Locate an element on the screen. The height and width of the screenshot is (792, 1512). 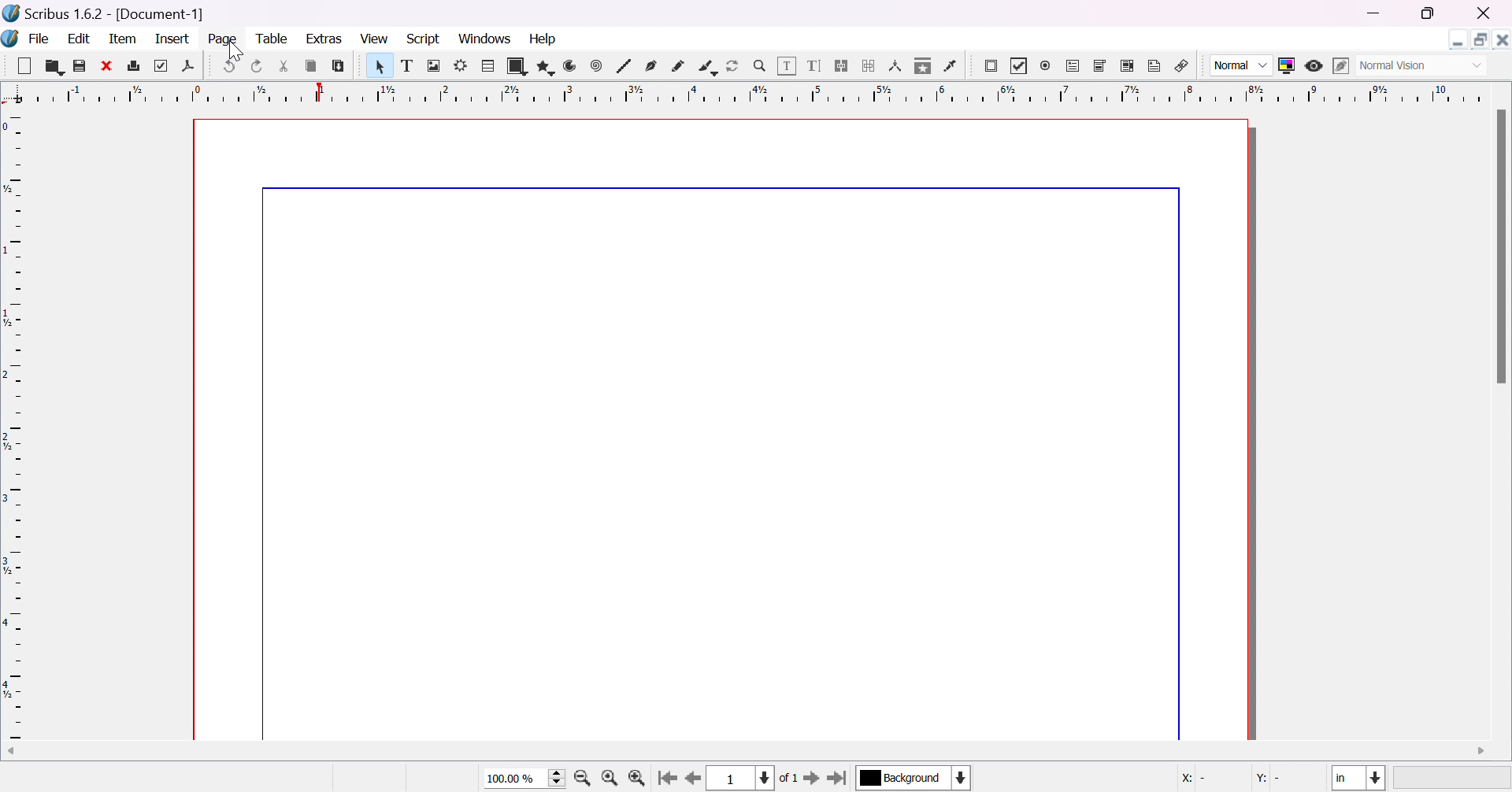
 is located at coordinates (28, 65).